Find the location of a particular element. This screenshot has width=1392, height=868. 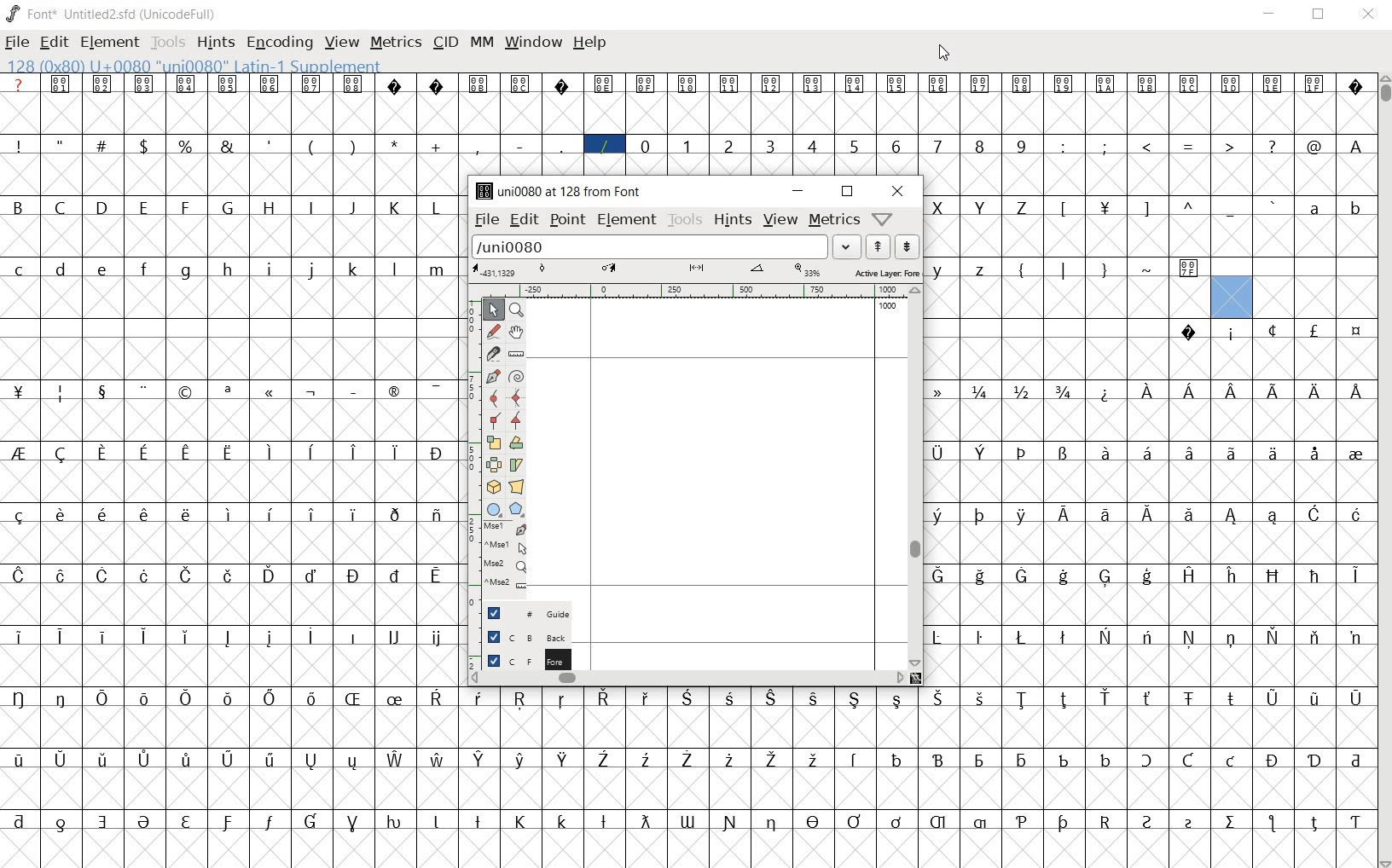

glyph is located at coordinates (1357, 332).